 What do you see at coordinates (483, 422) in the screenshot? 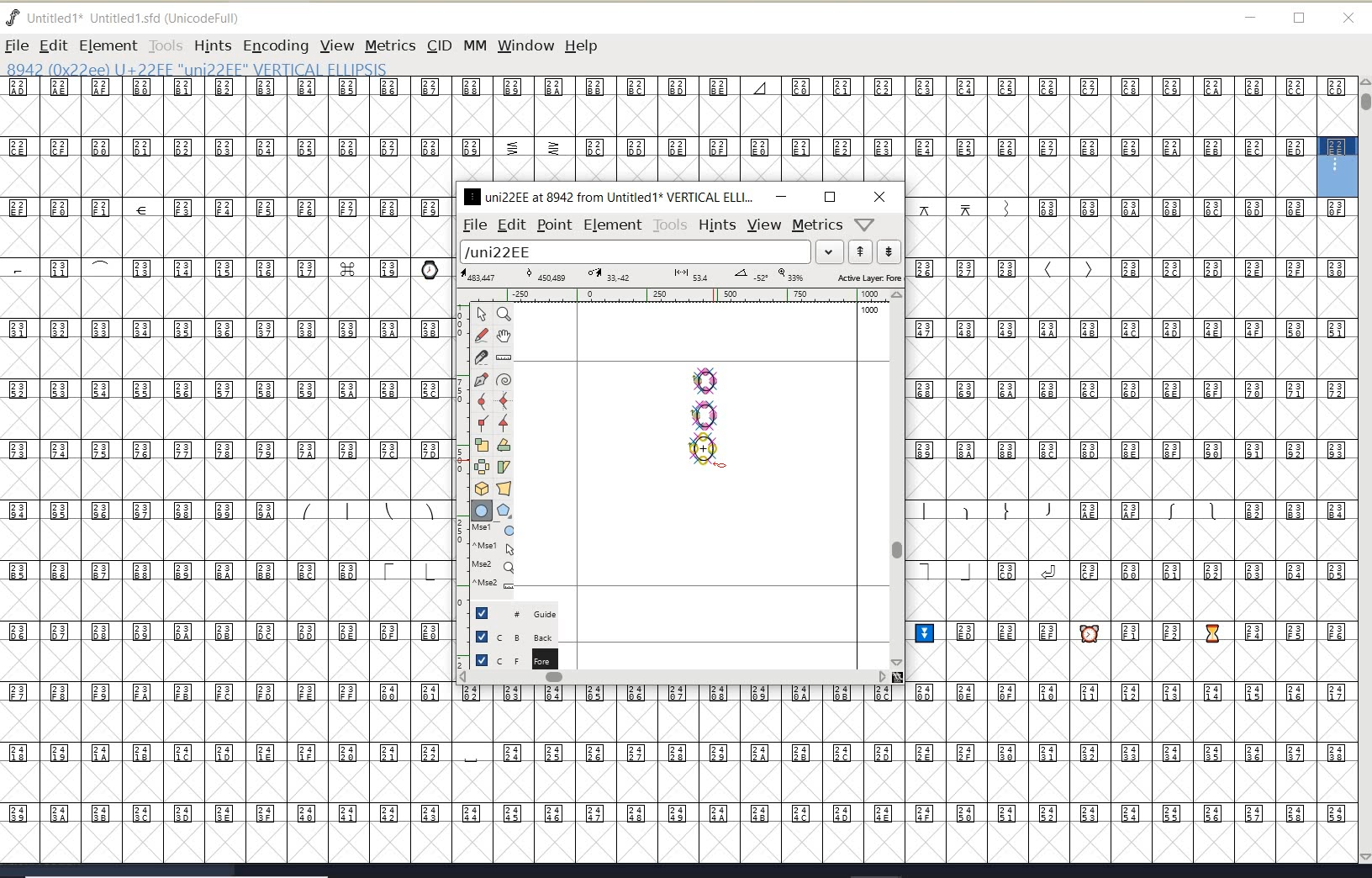
I see `add a corner point` at bounding box center [483, 422].